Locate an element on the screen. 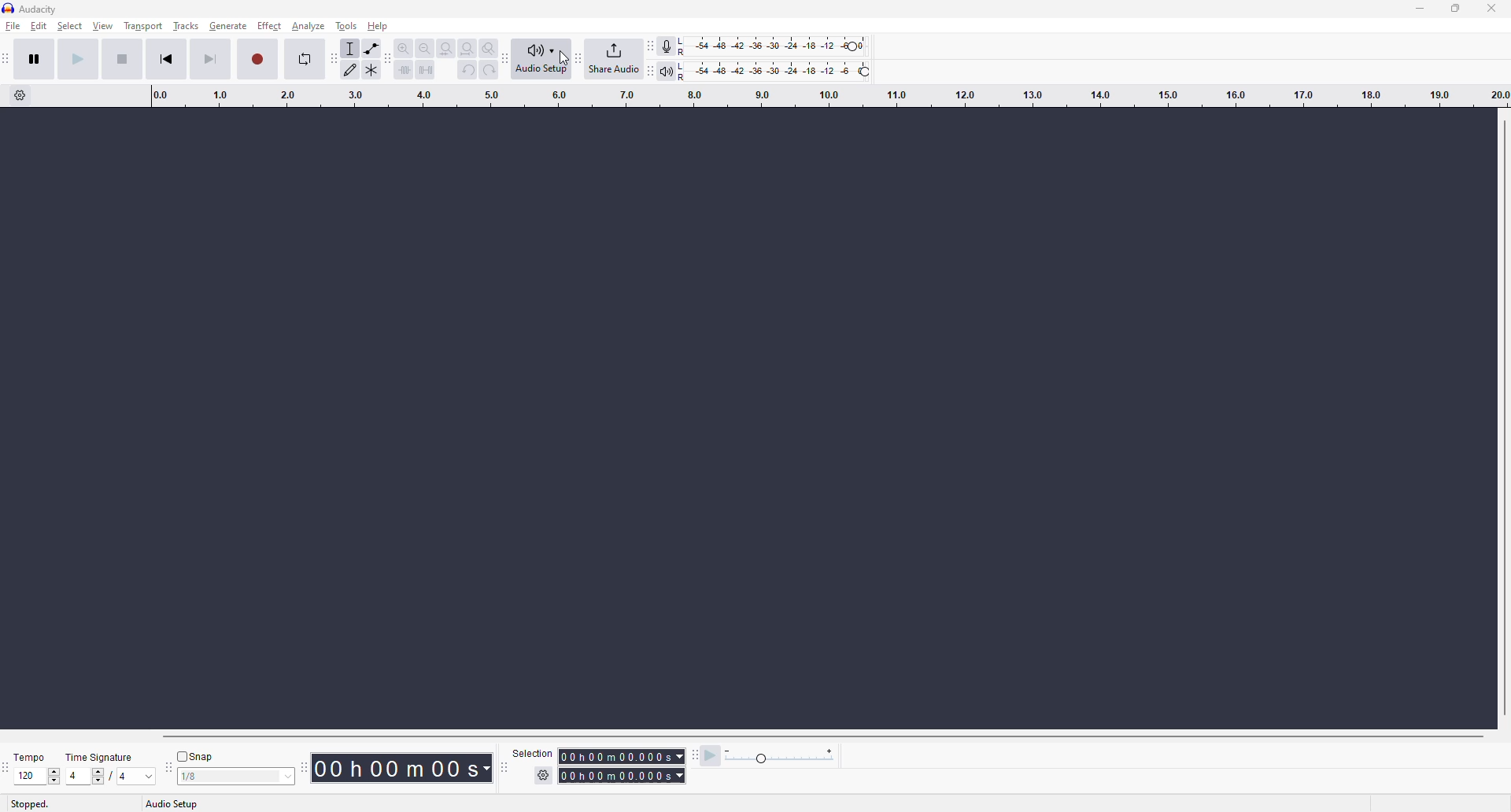 The image size is (1511, 812). transport is located at coordinates (140, 28).